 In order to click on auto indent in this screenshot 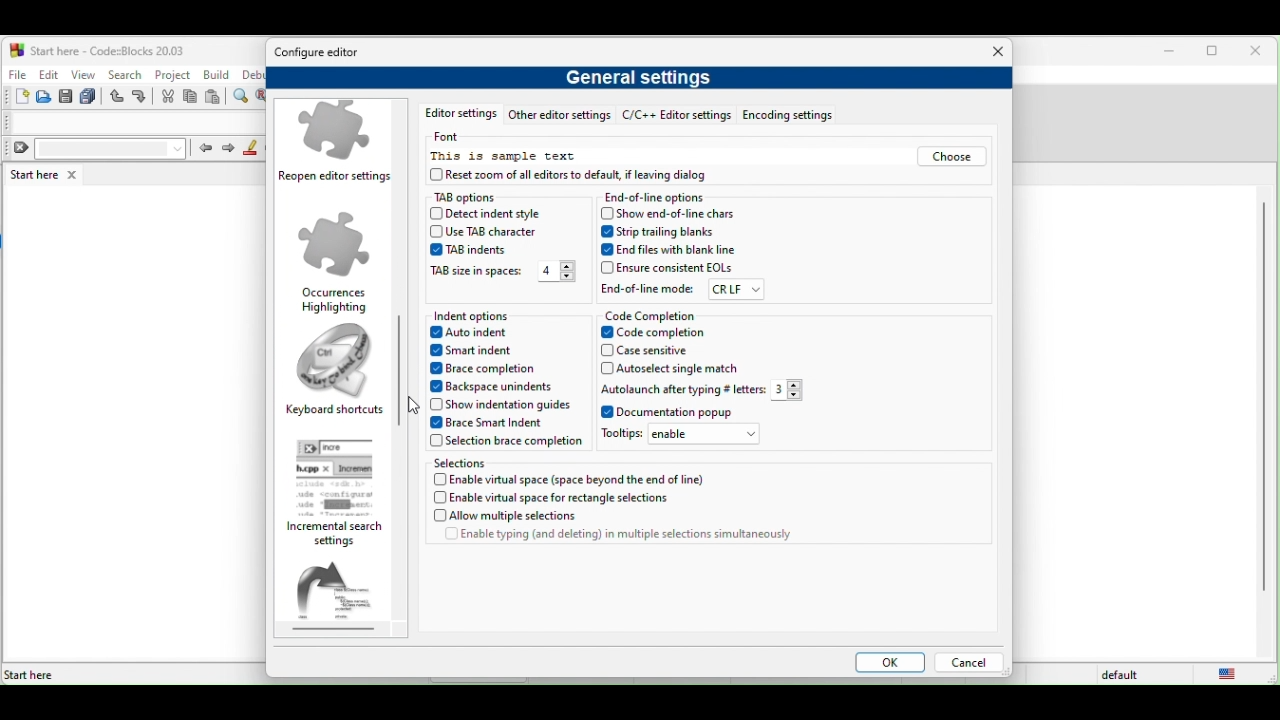, I will do `click(476, 334)`.